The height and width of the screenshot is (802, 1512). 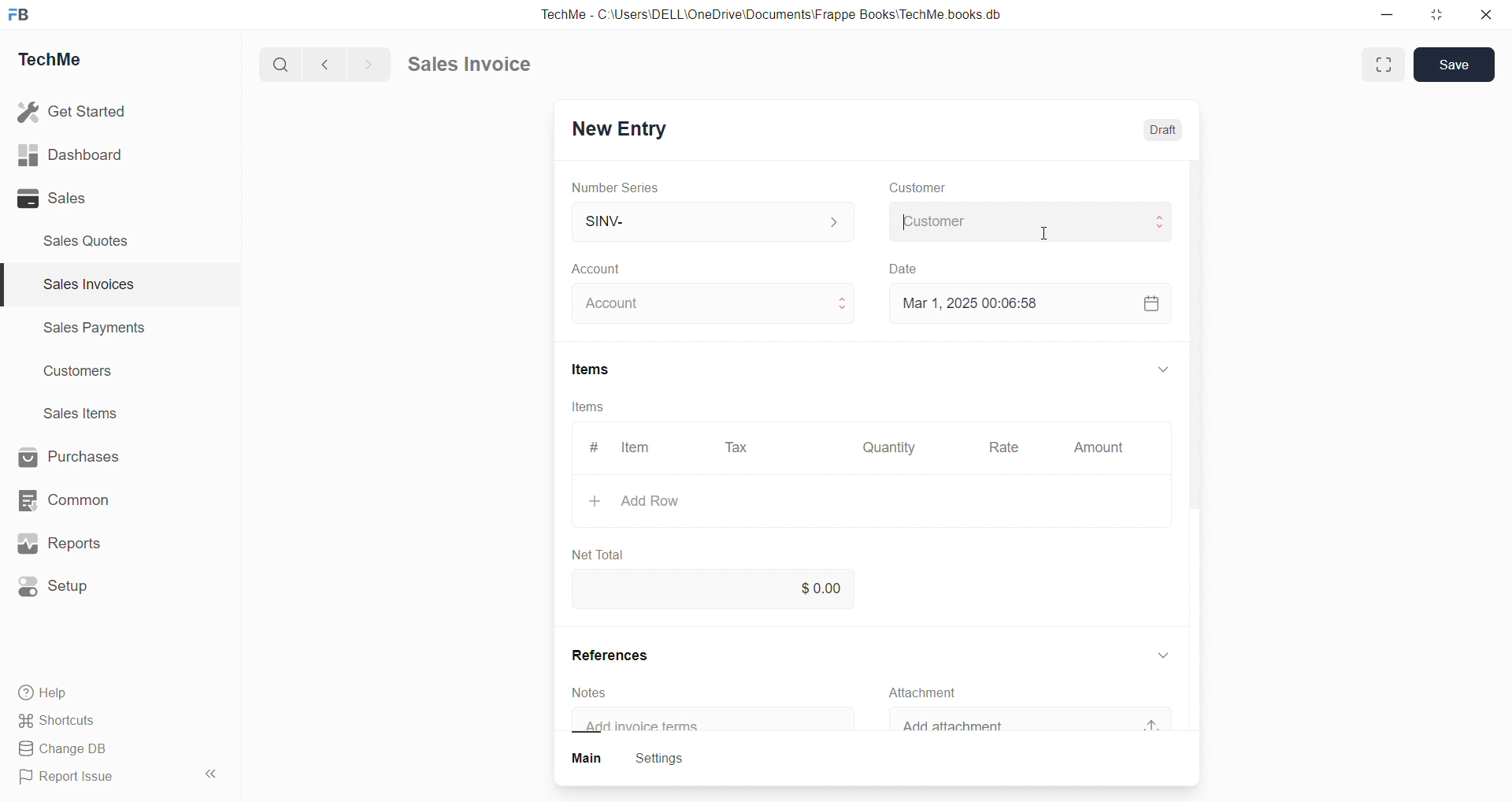 What do you see at coordinates (62, 592) in the screenshot?
I see `@ Setup` at bounding box center [62, 592].